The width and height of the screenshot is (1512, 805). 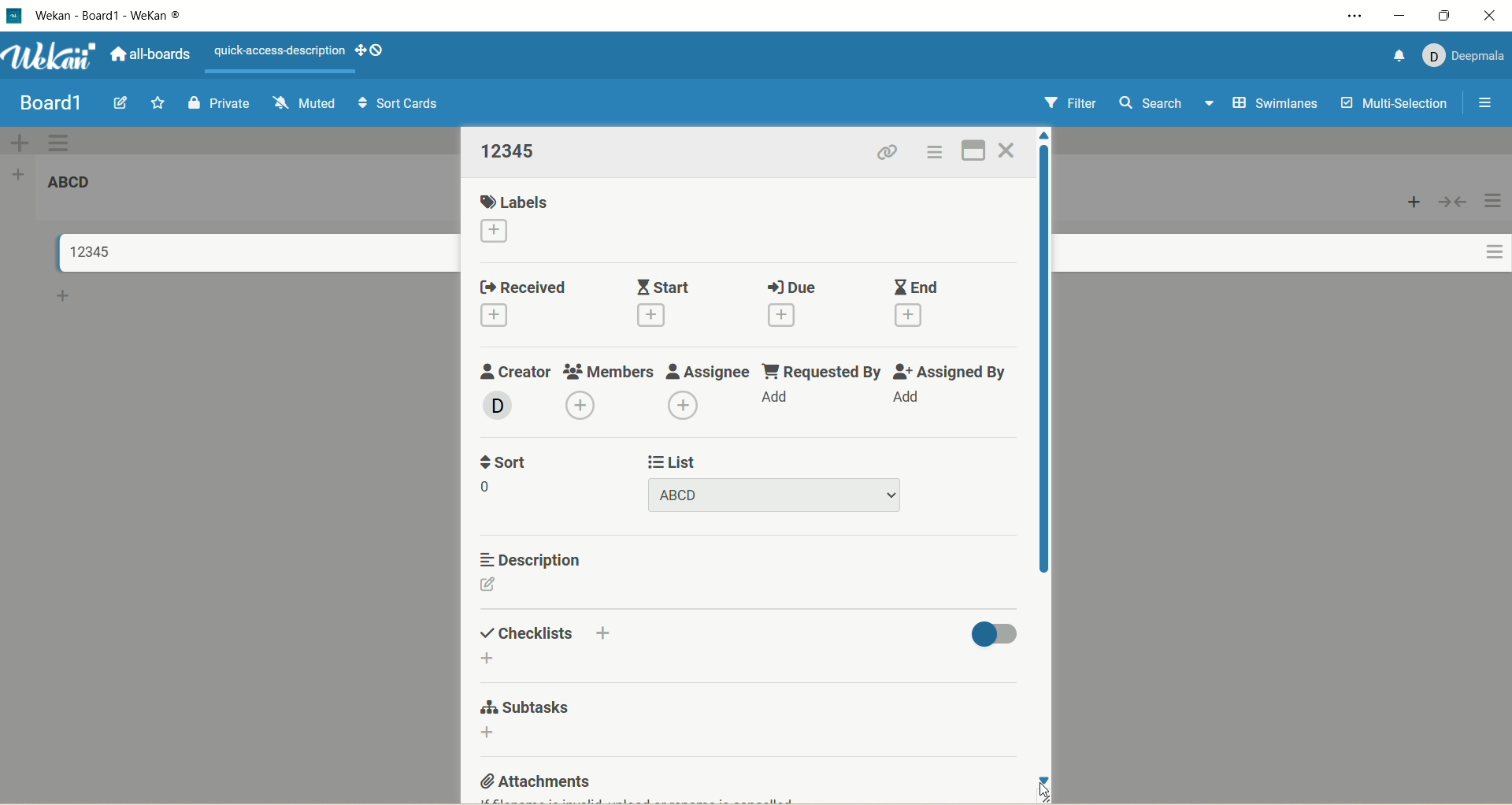 What do you see at coordinates (1463, 52) in the screenshot?
I see `account` at bounding box center [1463, 52].